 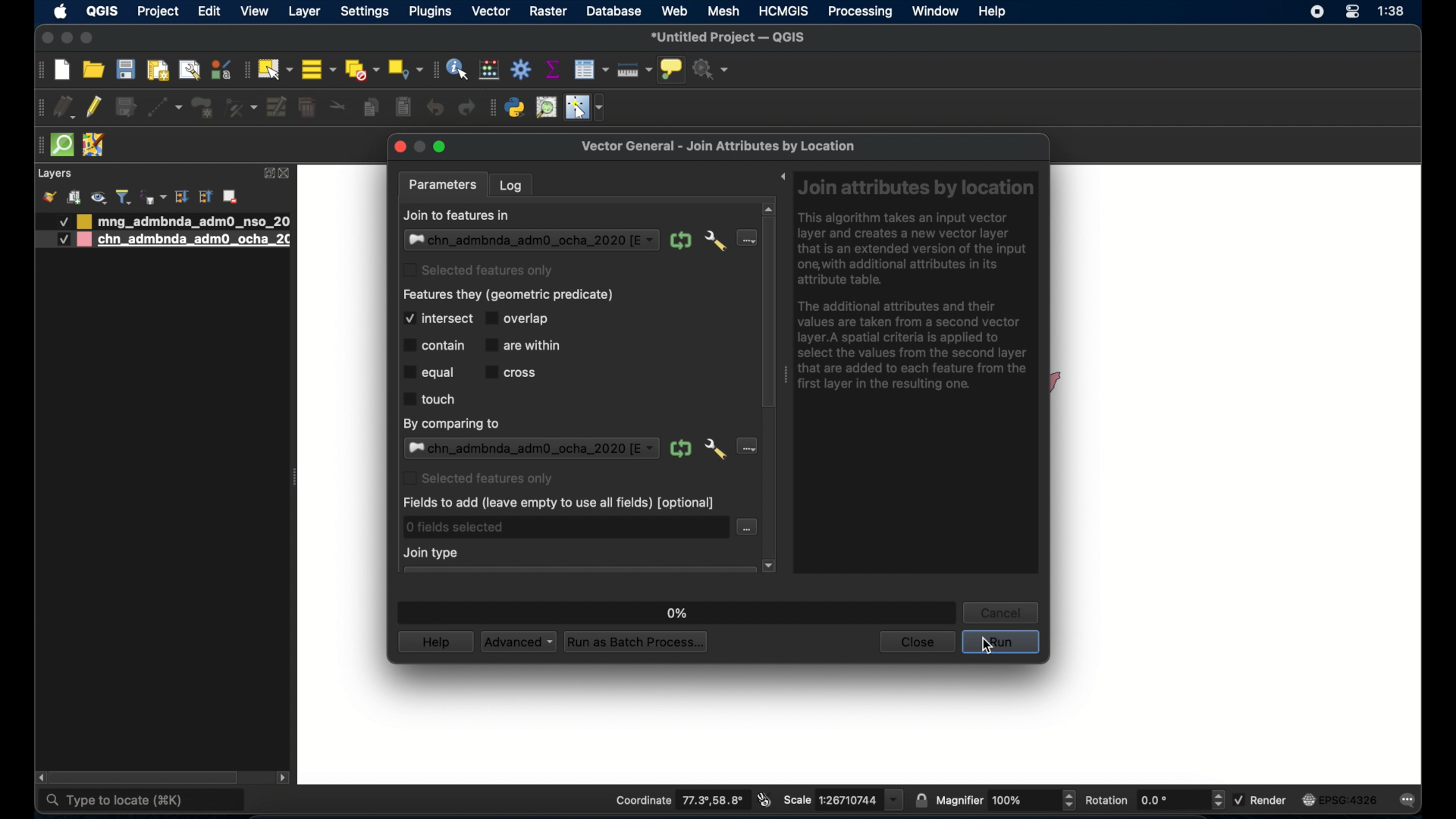 I want to click on add polygon feature, so click(x=202, y=107).